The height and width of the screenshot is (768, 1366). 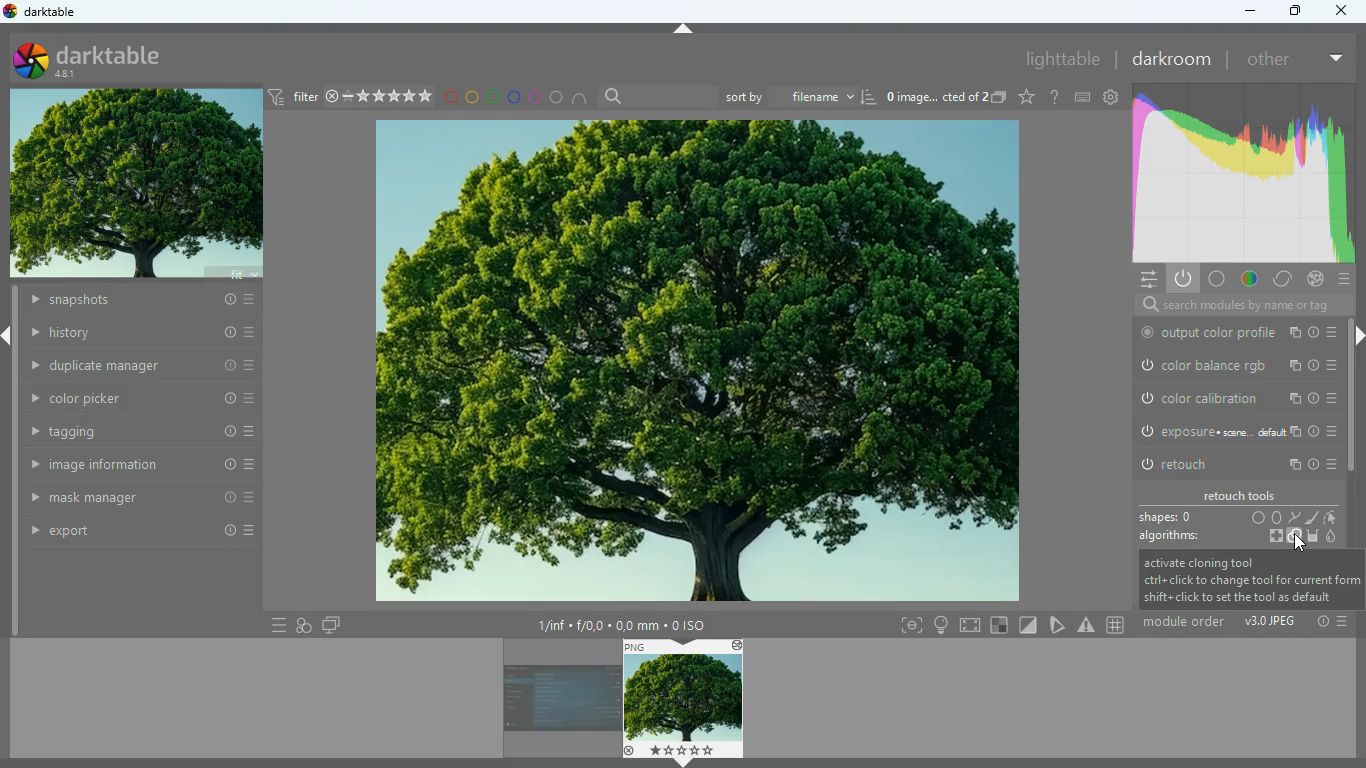 What do you see at coordinates (1240, 517) in the screenshot?
I see `shapes` at bounding box center [1240, 517].